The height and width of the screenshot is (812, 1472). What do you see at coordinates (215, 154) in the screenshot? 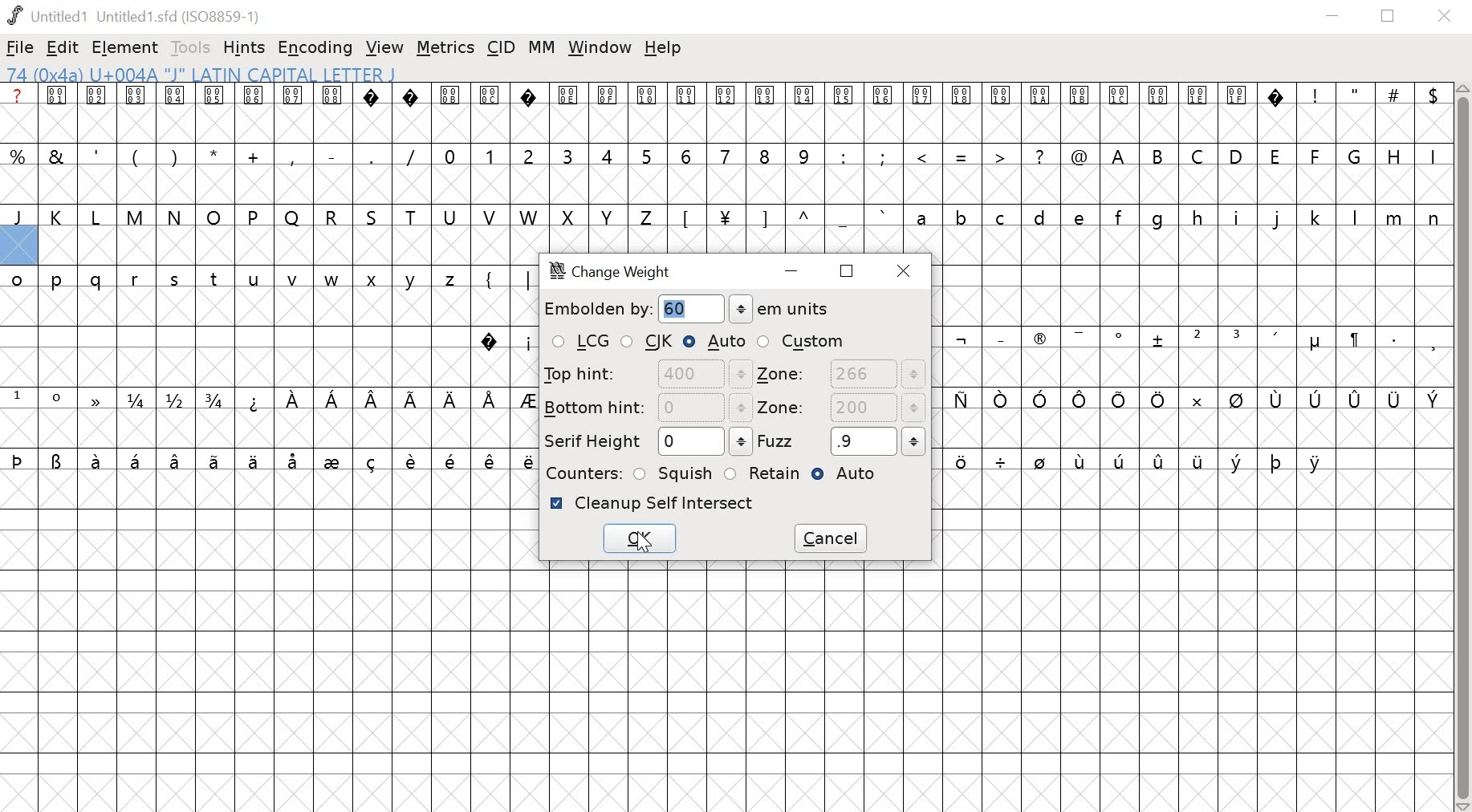
I see `special characters` at bounding box center [215, 154].